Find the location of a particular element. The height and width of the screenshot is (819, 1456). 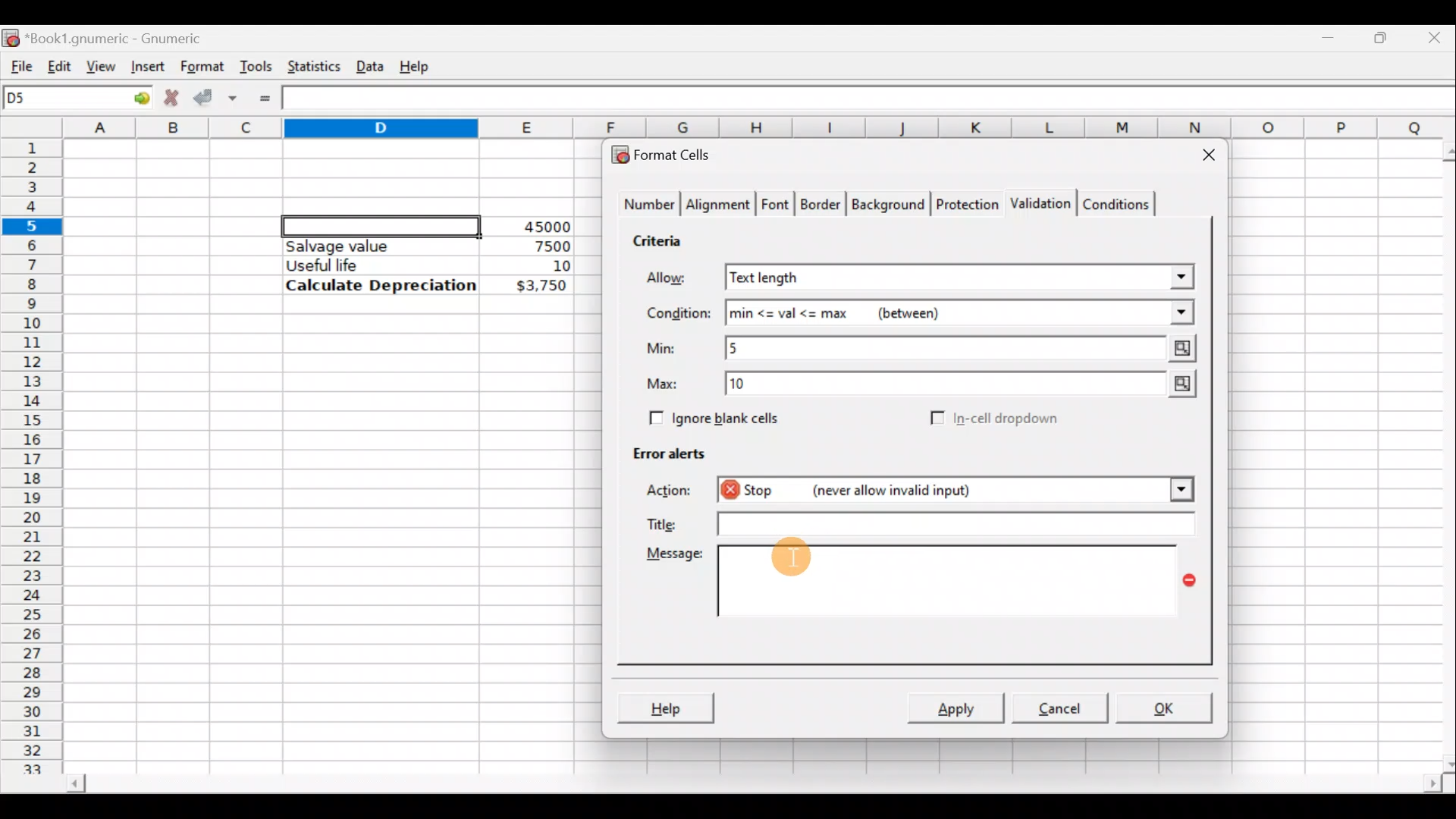

Criteria is located at coordinates (663, 238).